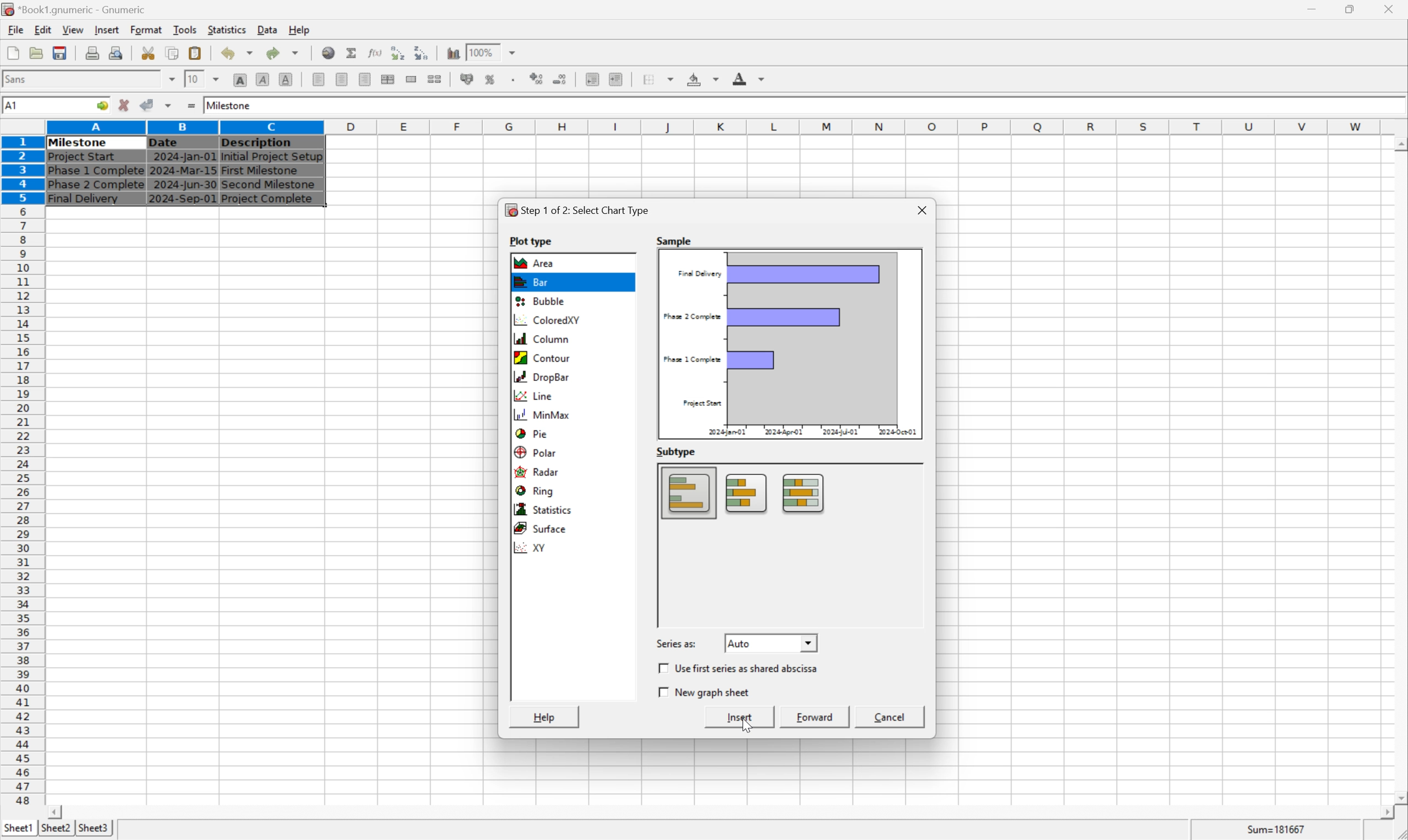 This screenshot has width=1408, height=840. I want to click on bar, so click(530, 284).